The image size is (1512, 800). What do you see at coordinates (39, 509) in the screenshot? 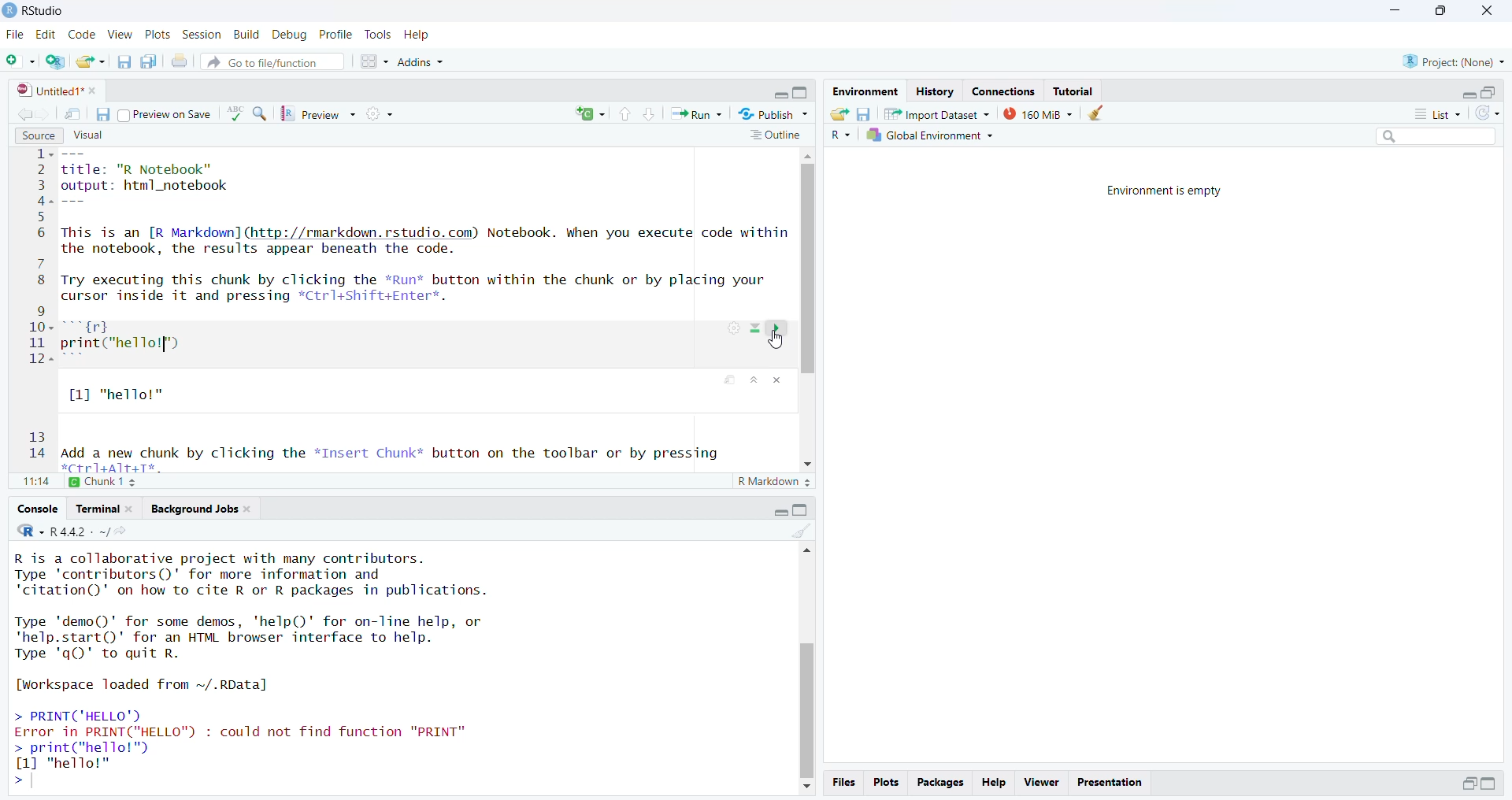
I see `console` at bounding box center [39, 509].